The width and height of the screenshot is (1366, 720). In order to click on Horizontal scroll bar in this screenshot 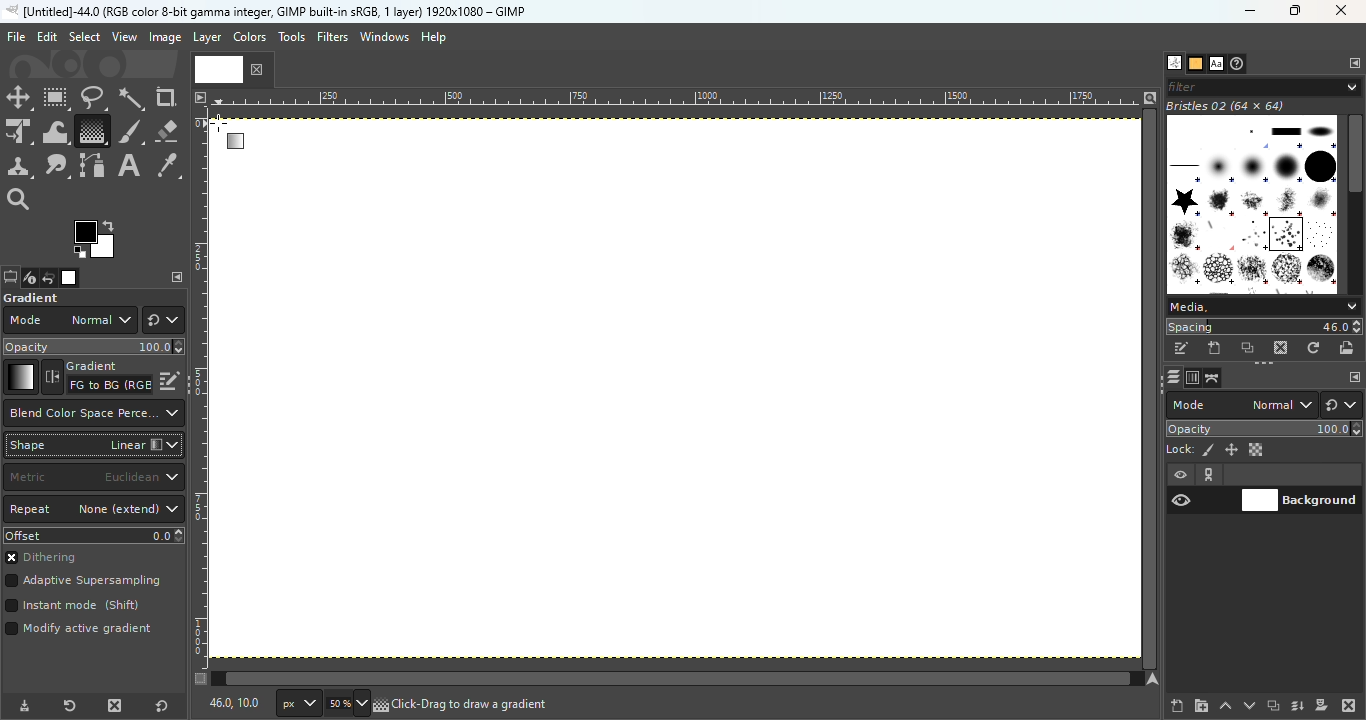, I will do `click(1152, 389)`.